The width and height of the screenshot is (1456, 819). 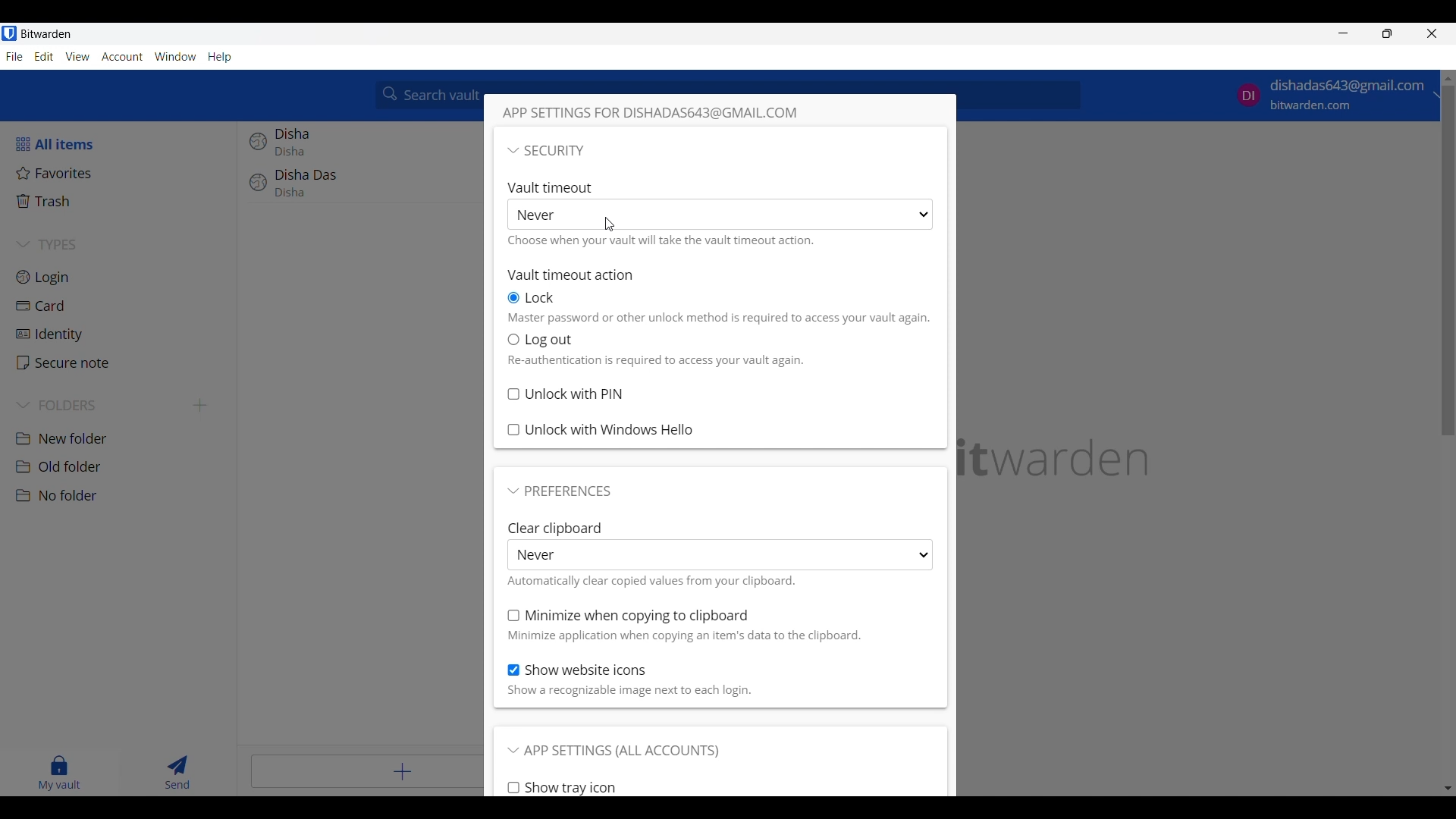 I want to click on Close interface, so click(x=1432, y=33).